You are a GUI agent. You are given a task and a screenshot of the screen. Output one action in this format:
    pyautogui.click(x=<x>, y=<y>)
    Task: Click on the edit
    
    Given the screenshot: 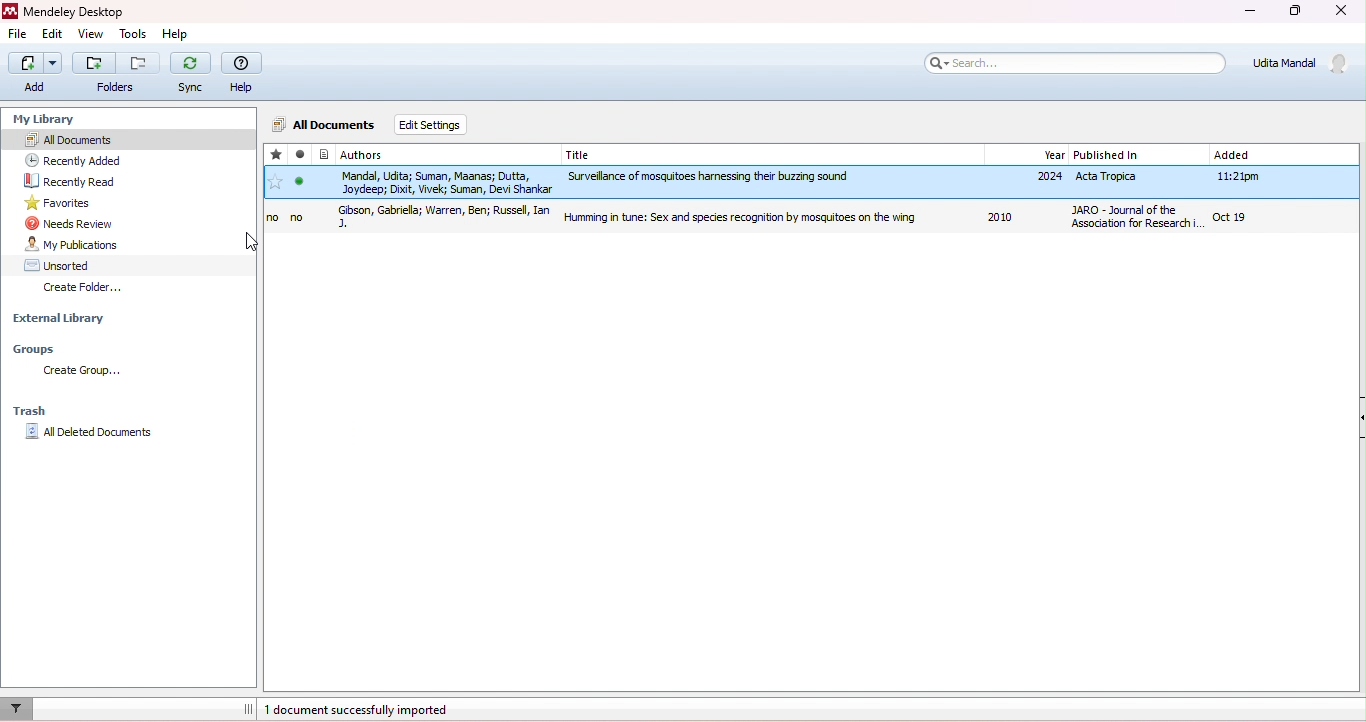 What is the action you would take?
    pyautogui.click(x=53, y=35)
    